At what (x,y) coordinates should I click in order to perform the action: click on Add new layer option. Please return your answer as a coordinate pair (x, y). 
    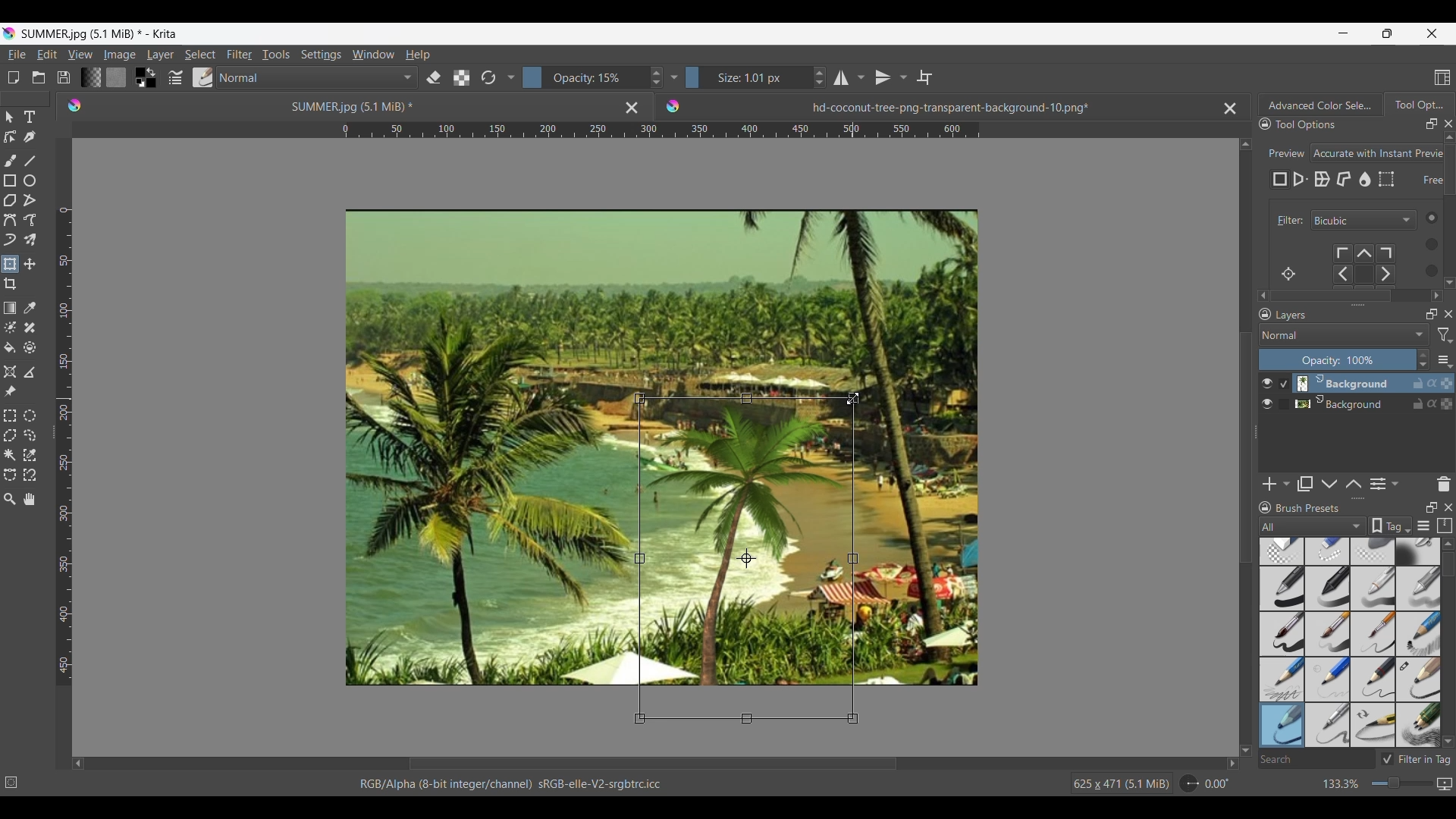
    Looking at the image, I should click on (1285, 484).